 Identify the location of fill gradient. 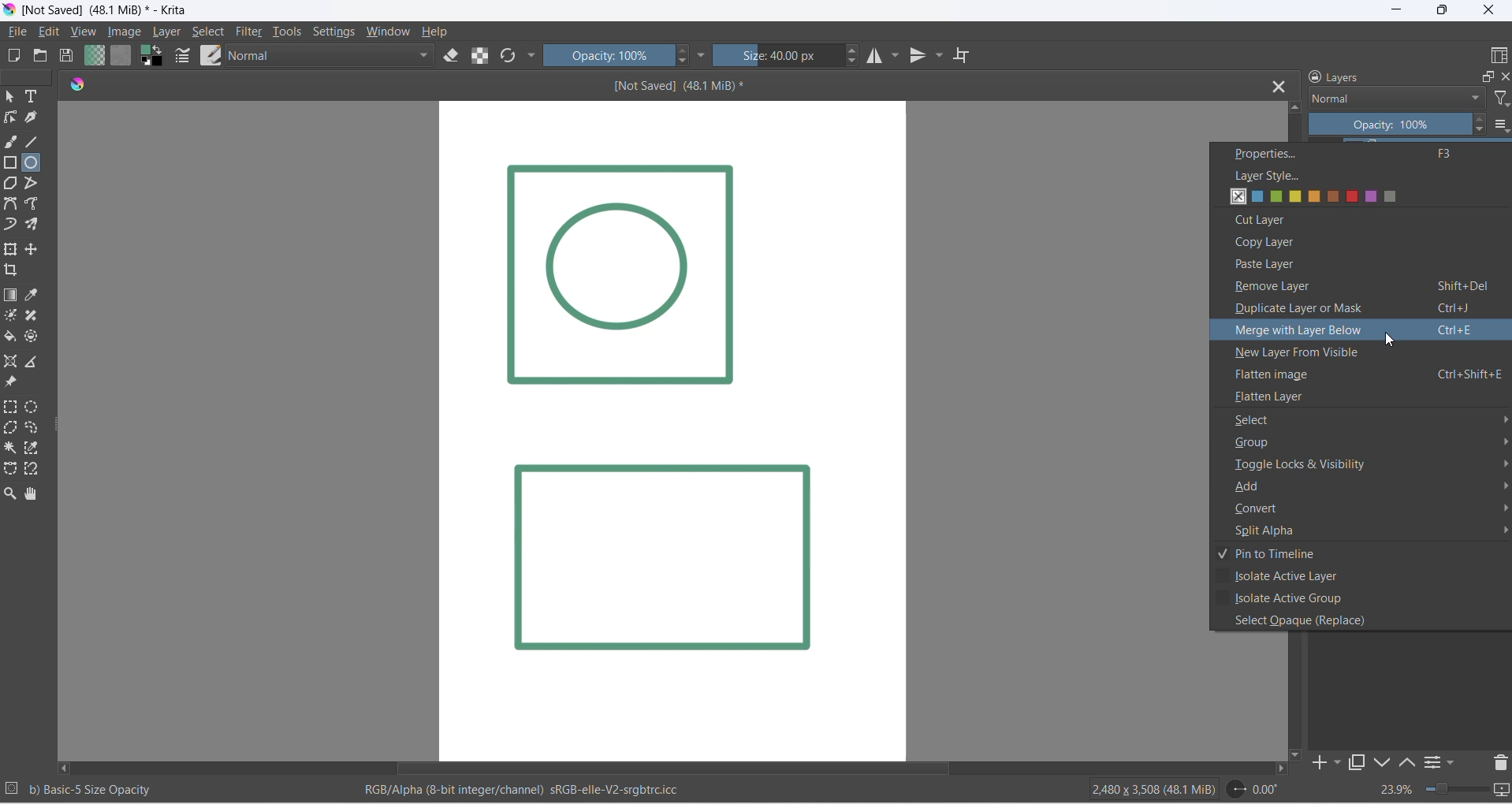
(95, 57).